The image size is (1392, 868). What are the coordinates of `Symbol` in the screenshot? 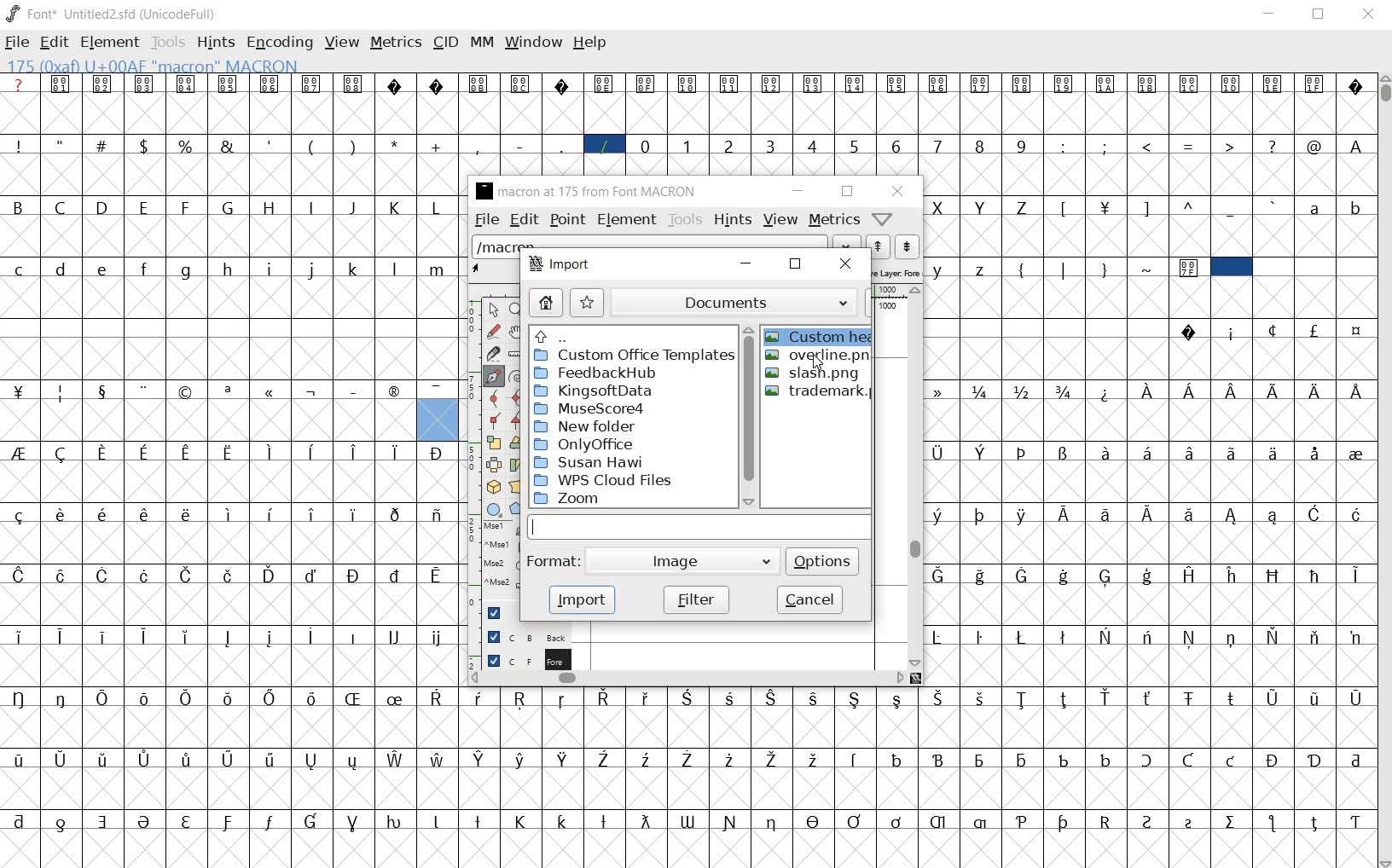 It's located at (1024, 576).